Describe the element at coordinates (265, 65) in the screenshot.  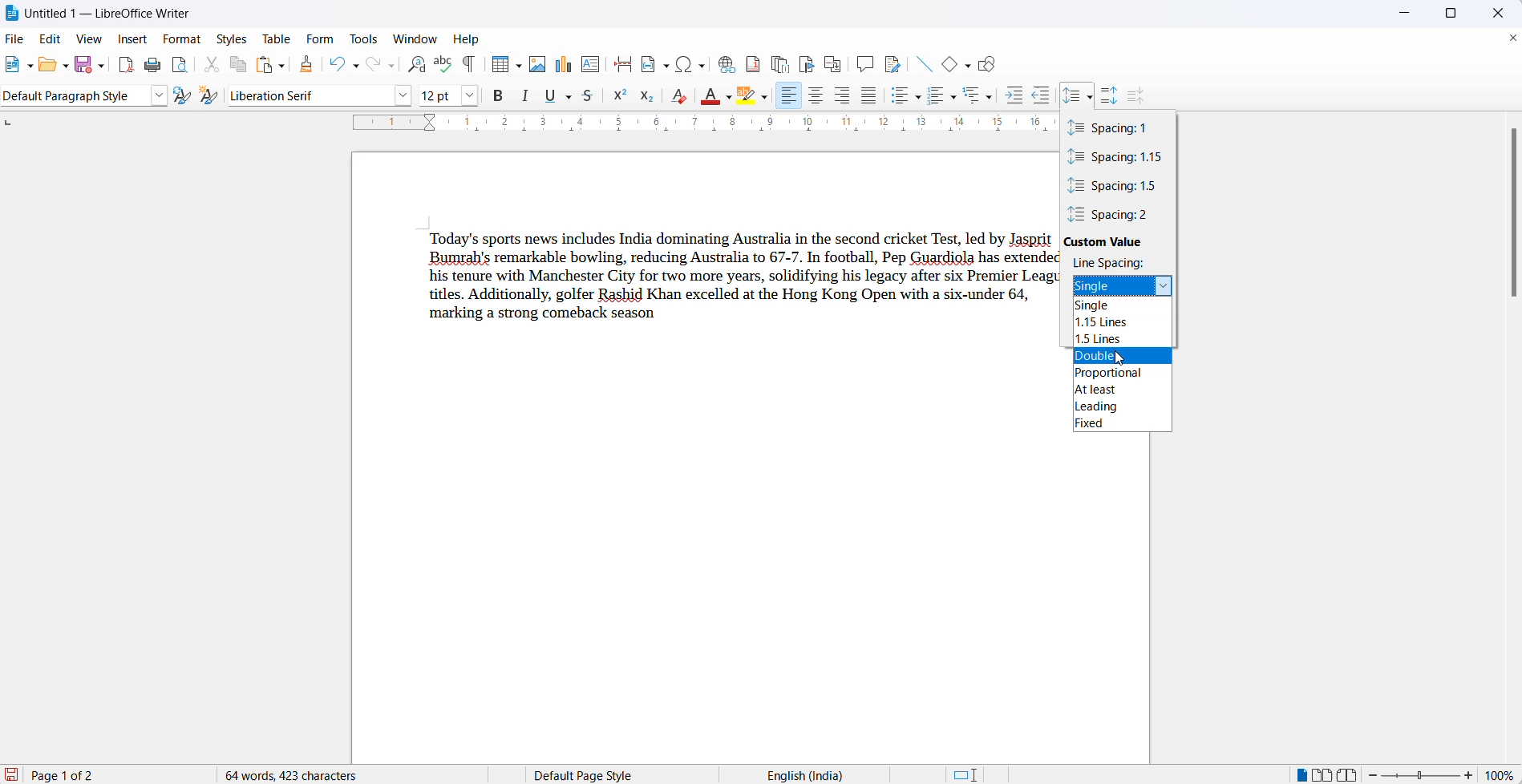
I see `paste` at that location.